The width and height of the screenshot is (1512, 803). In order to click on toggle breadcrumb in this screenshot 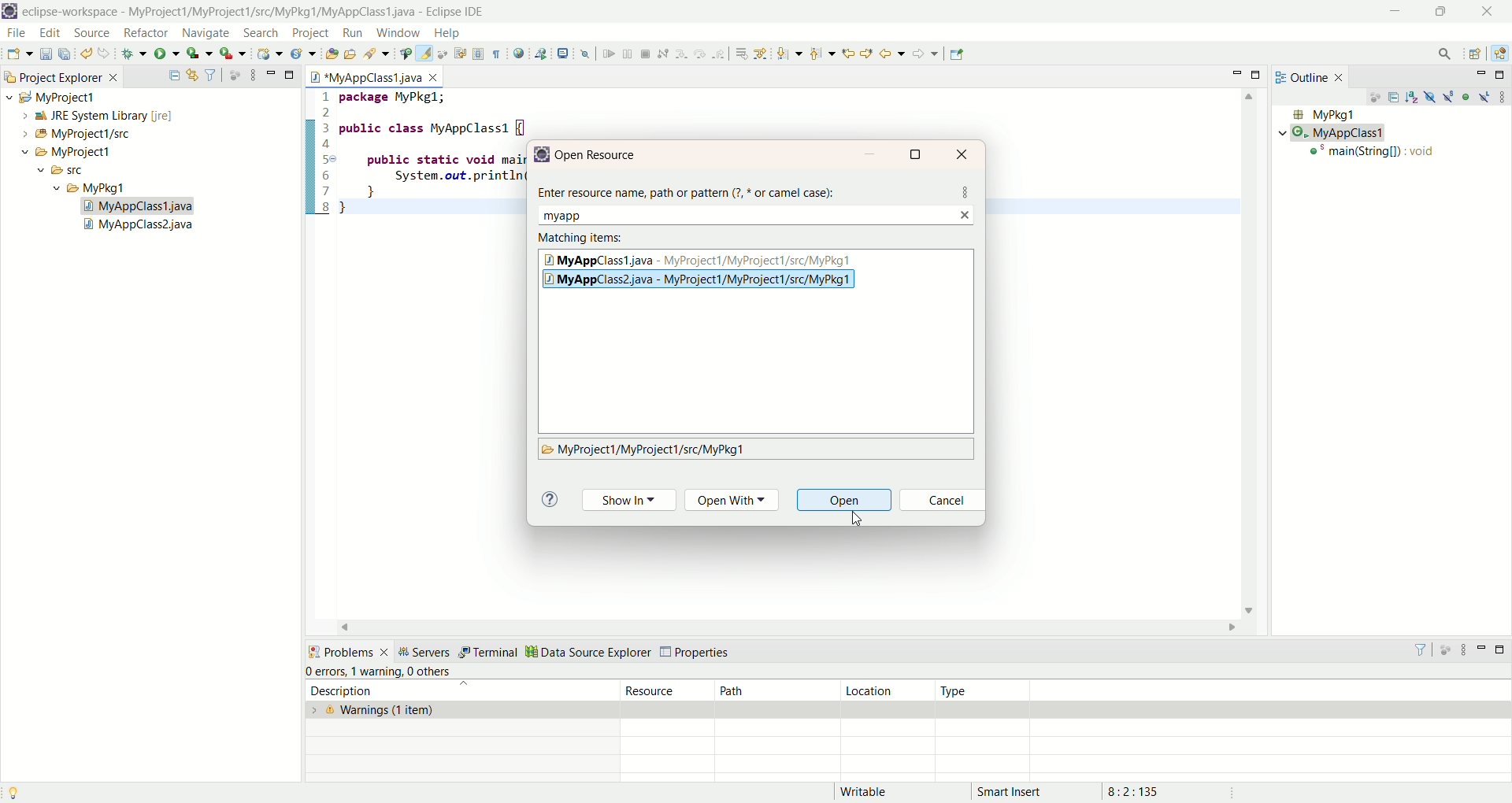, I will do `click(404, 54)`.